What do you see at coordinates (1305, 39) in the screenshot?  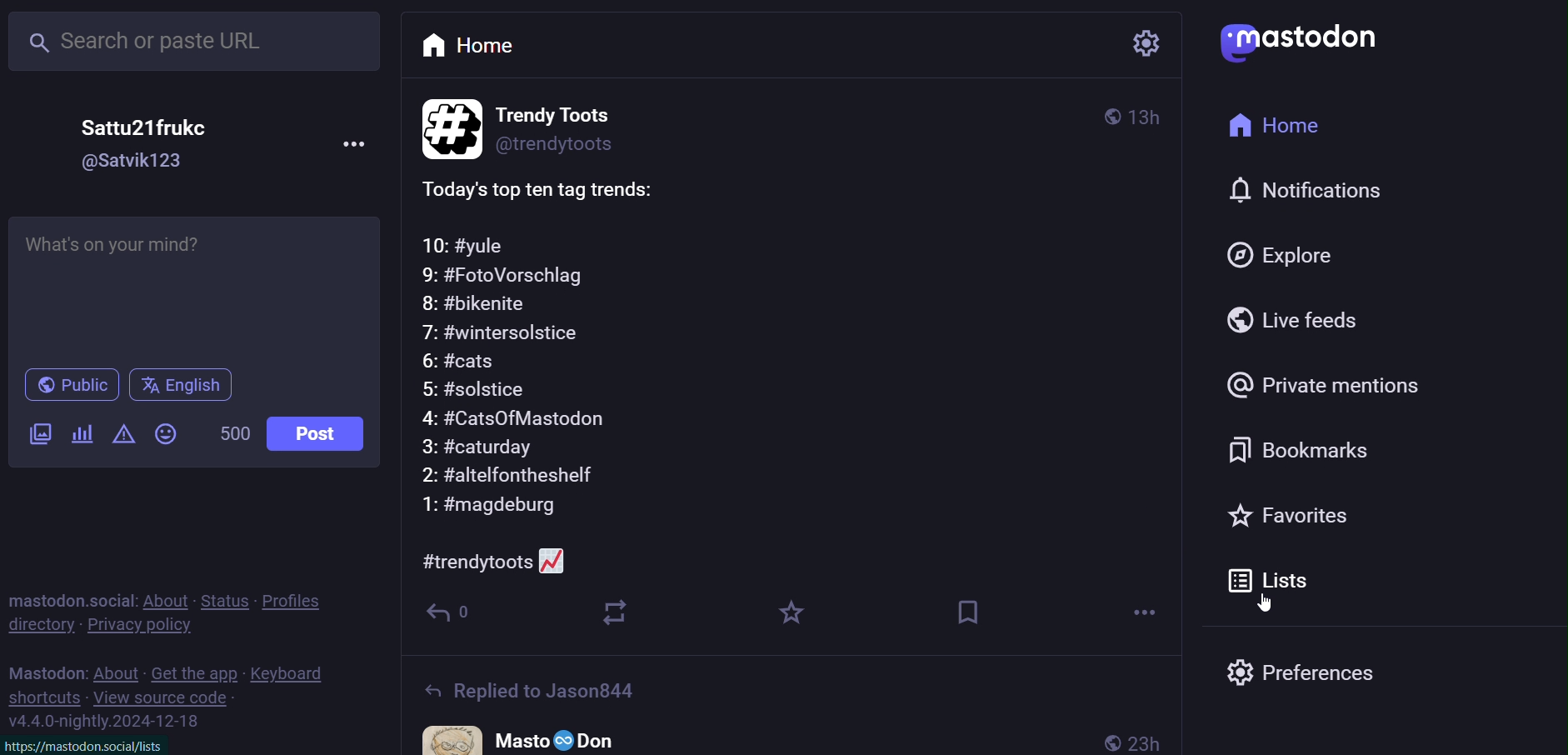 I see `mastodon` at bounding box center [1305, 39].